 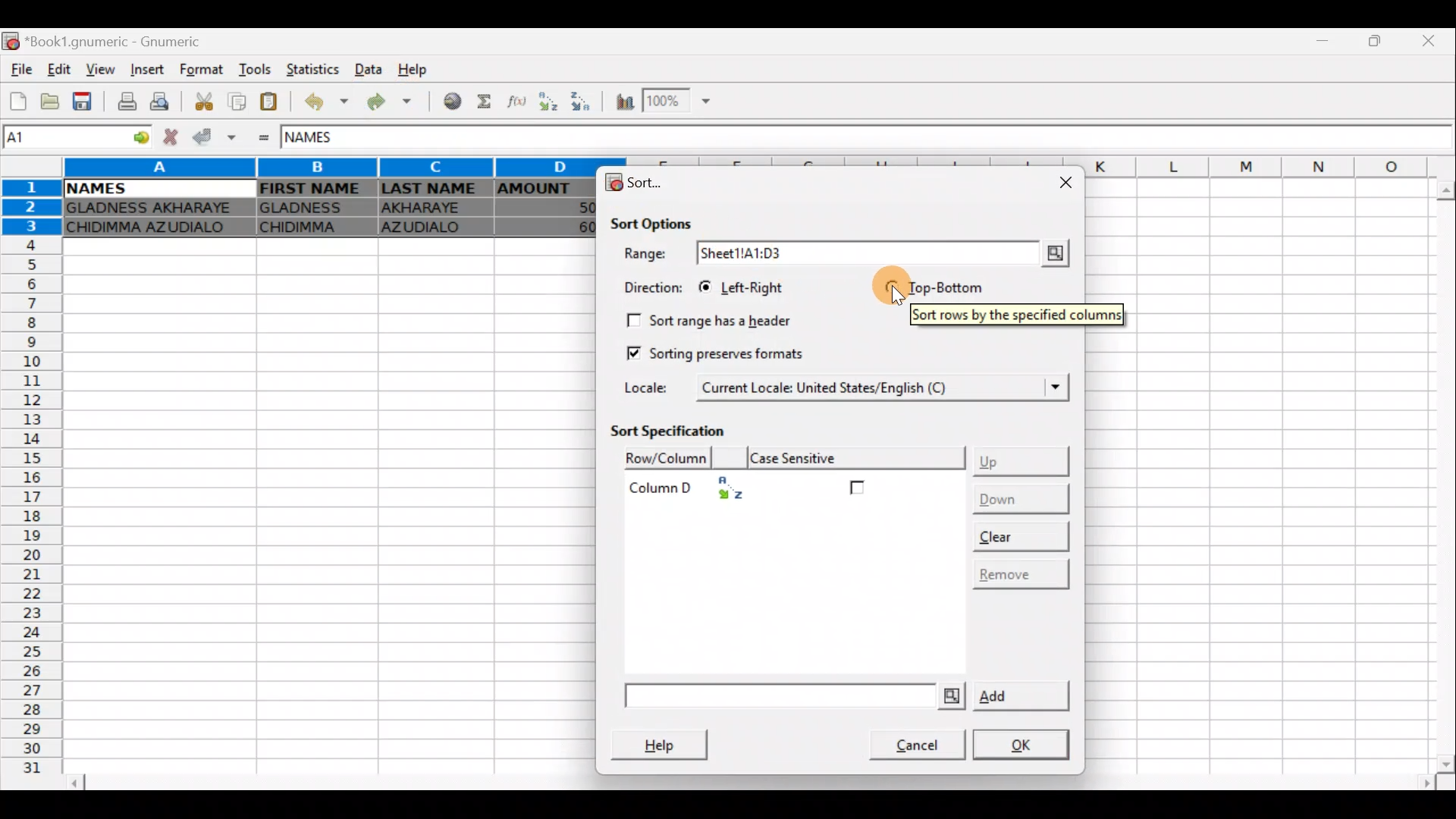 What do you see at coordinates (910, 140) in the screenshot?
I see `Formula bar` at bounding box center [910, 140].